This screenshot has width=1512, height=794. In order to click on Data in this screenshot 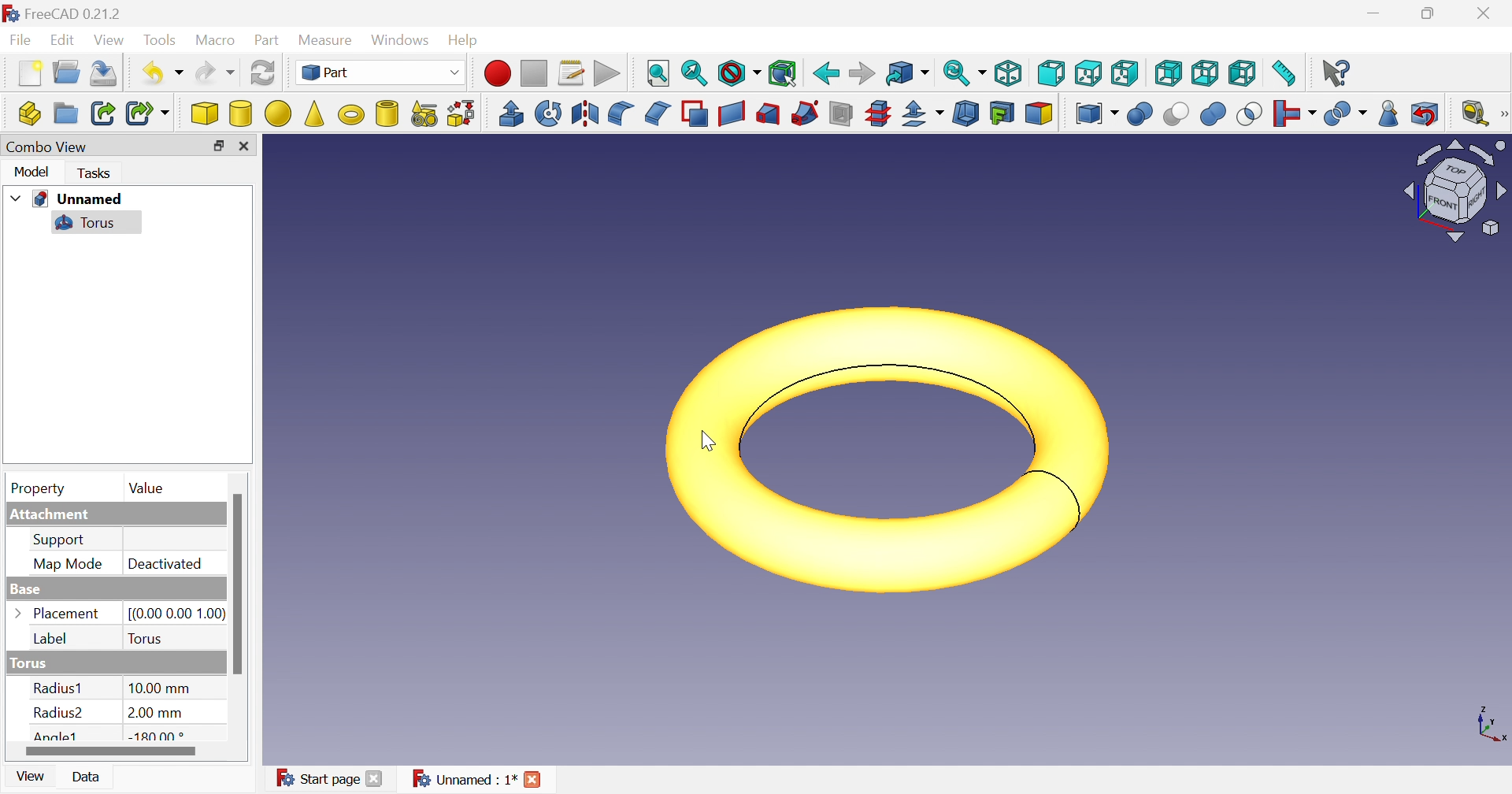, I will do `click(89, 777)`.